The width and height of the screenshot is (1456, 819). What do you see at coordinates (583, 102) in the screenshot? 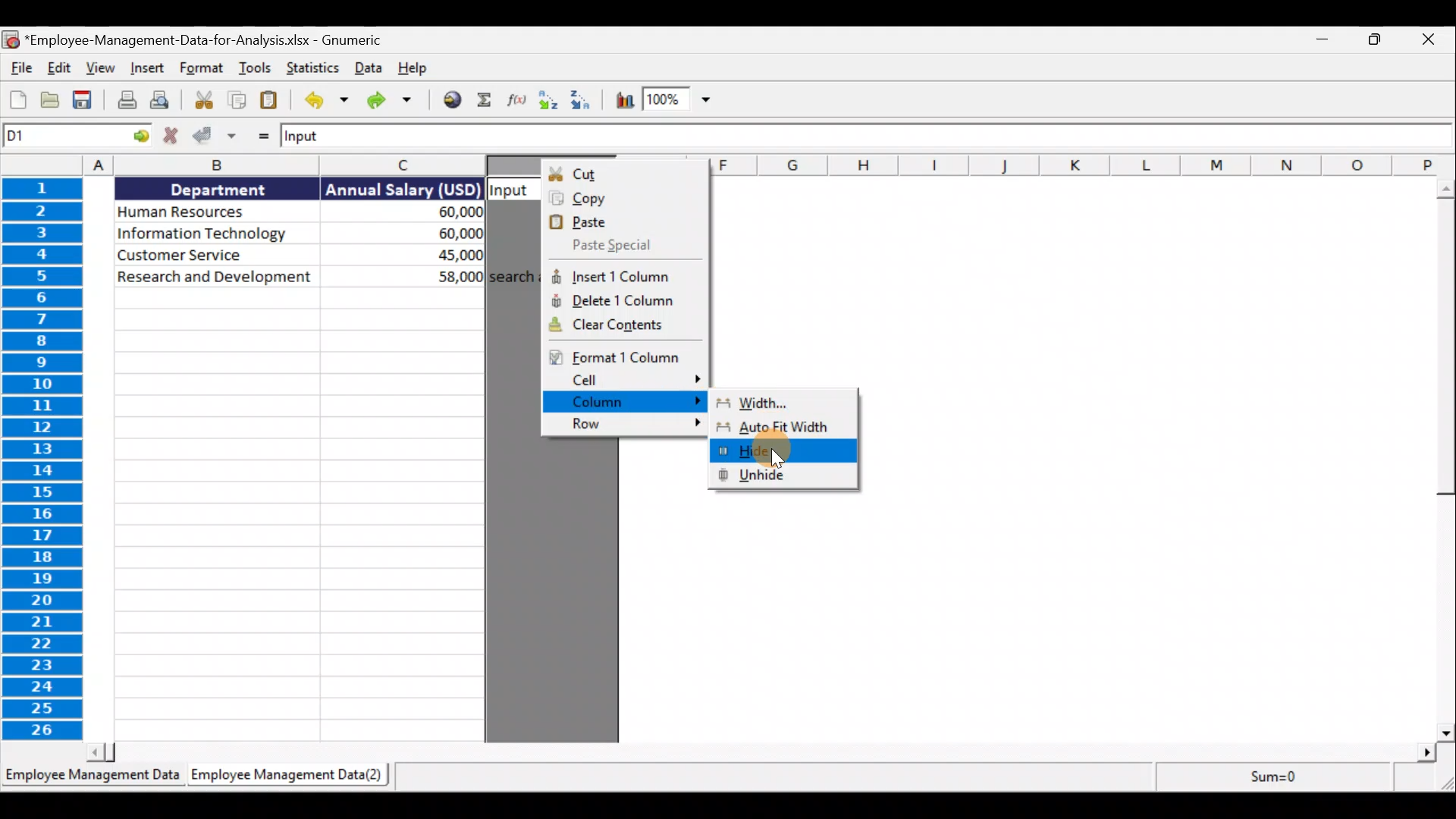
I see `Sort descending` at bounding box center [583, 102].